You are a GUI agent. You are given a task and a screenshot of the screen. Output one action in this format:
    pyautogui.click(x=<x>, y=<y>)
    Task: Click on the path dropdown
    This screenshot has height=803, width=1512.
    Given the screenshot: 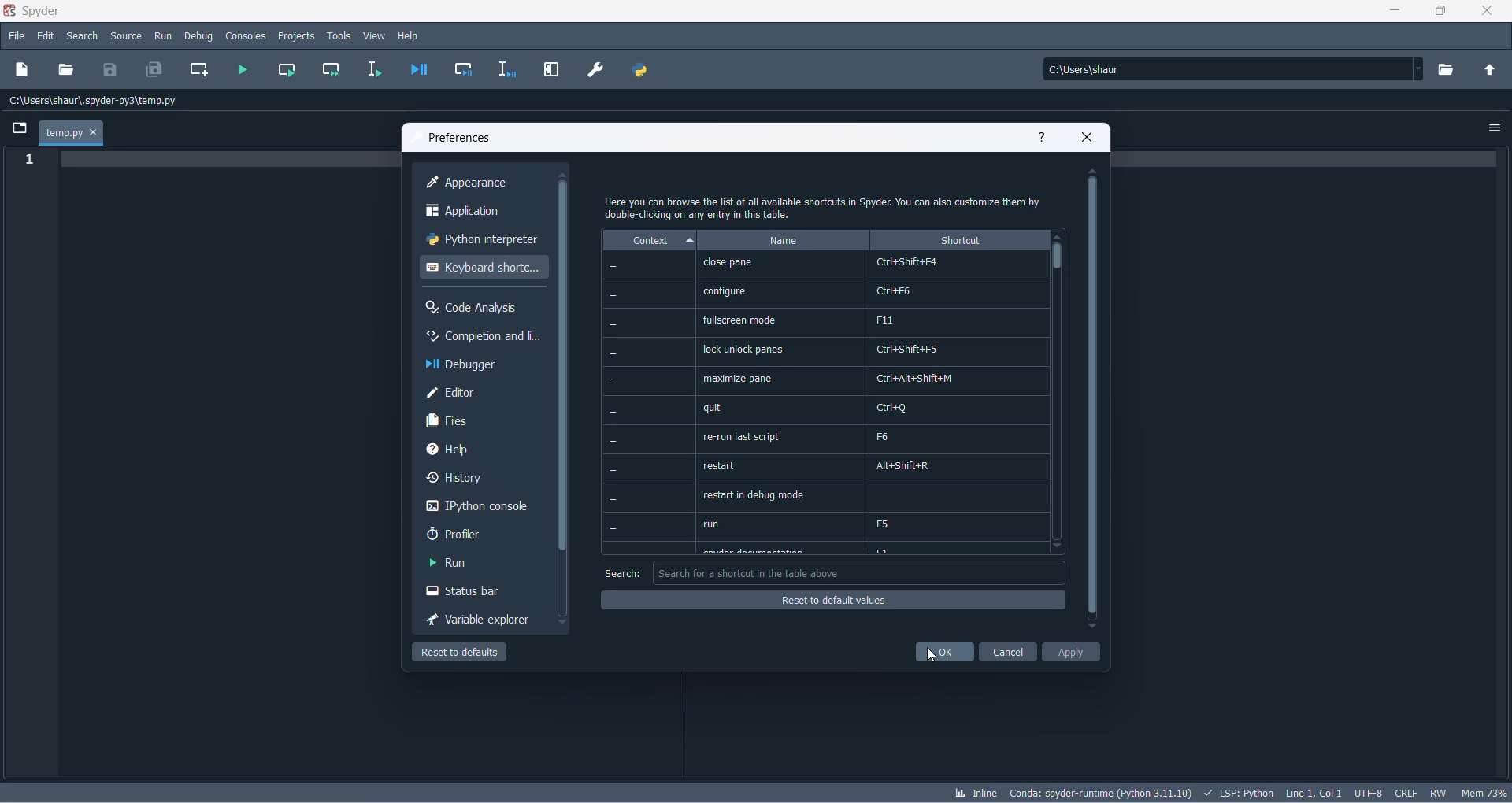 What is the action you would take?
    pyautogui.click(x=1421, y=71)
    